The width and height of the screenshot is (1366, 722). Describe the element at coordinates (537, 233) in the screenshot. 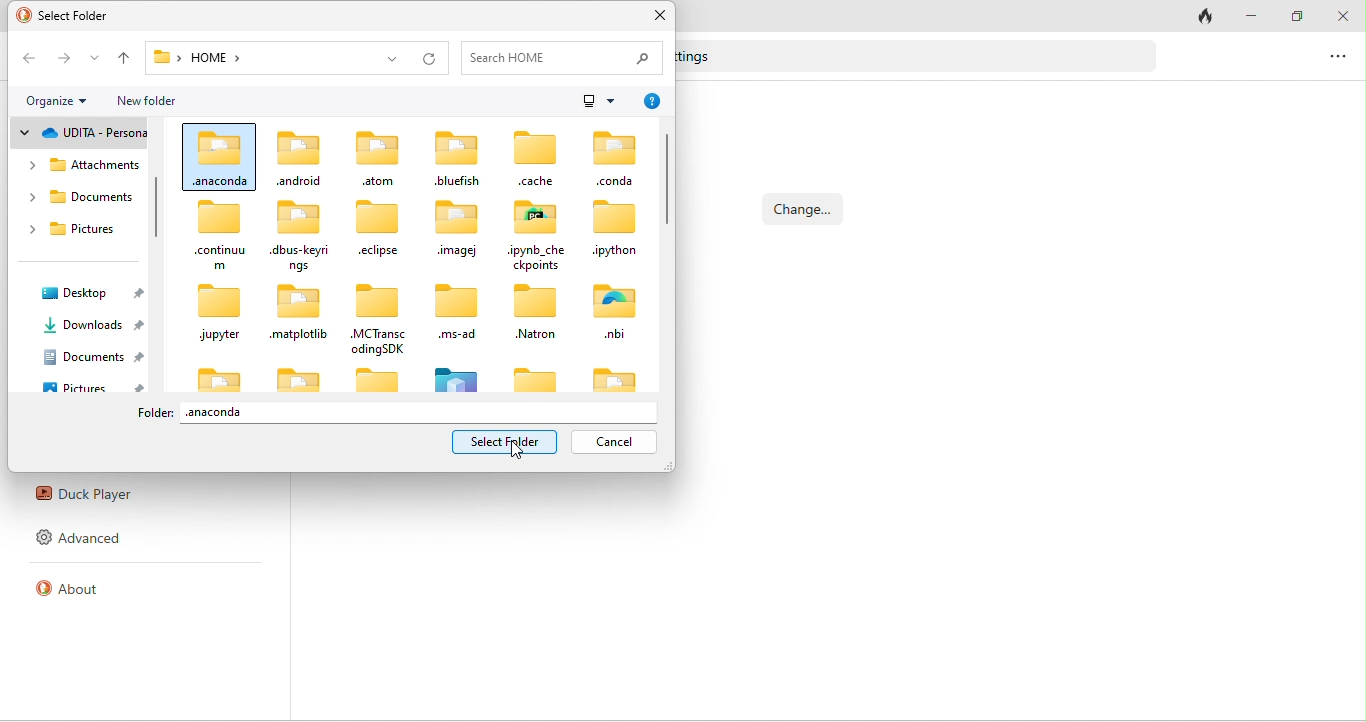

I see `.ipynb_checkoptions` at that location.